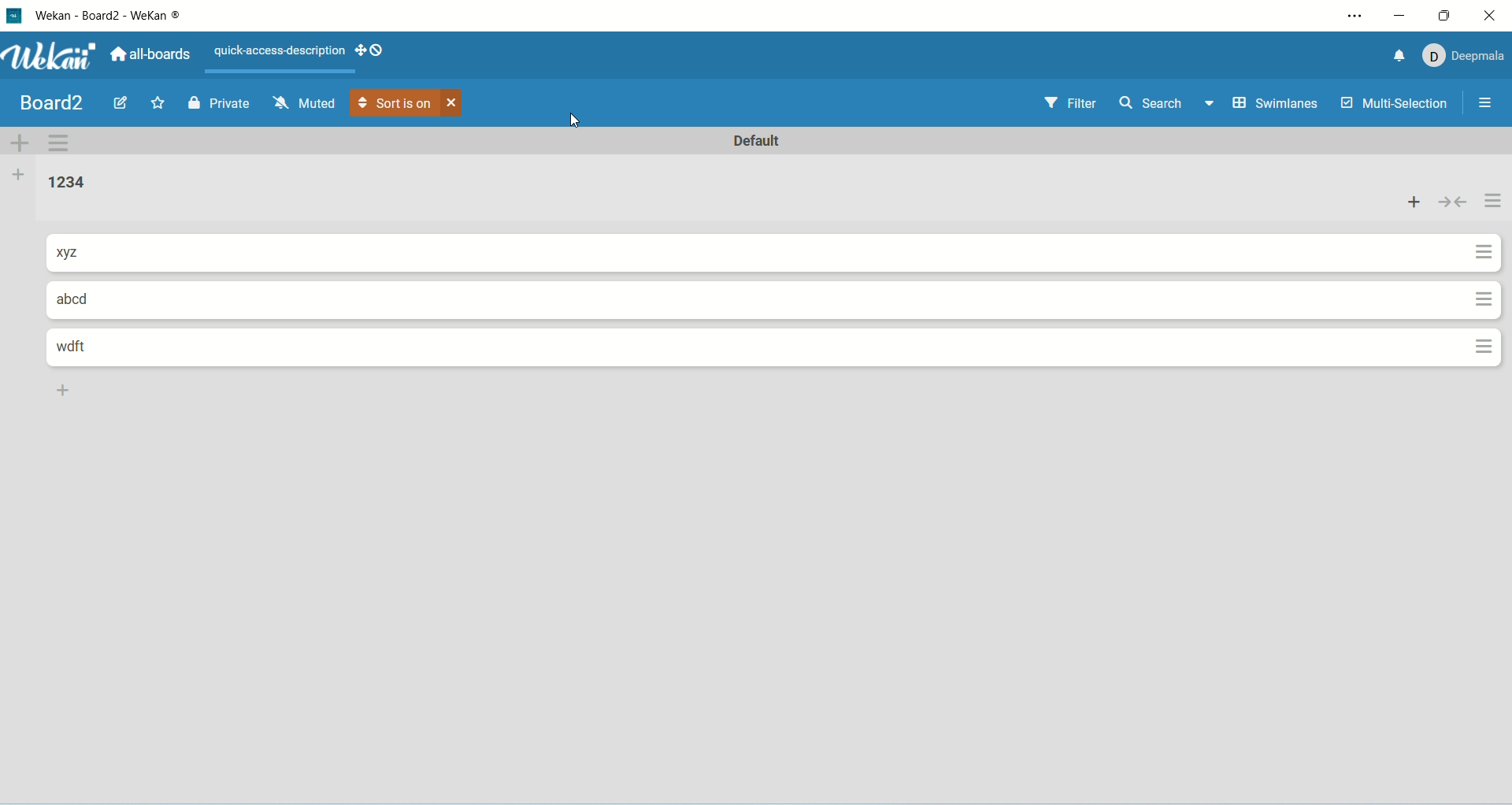  What do you see at coordinates (758, 141) in the screenshot?
I see `default` at bounding box center [758, 141].